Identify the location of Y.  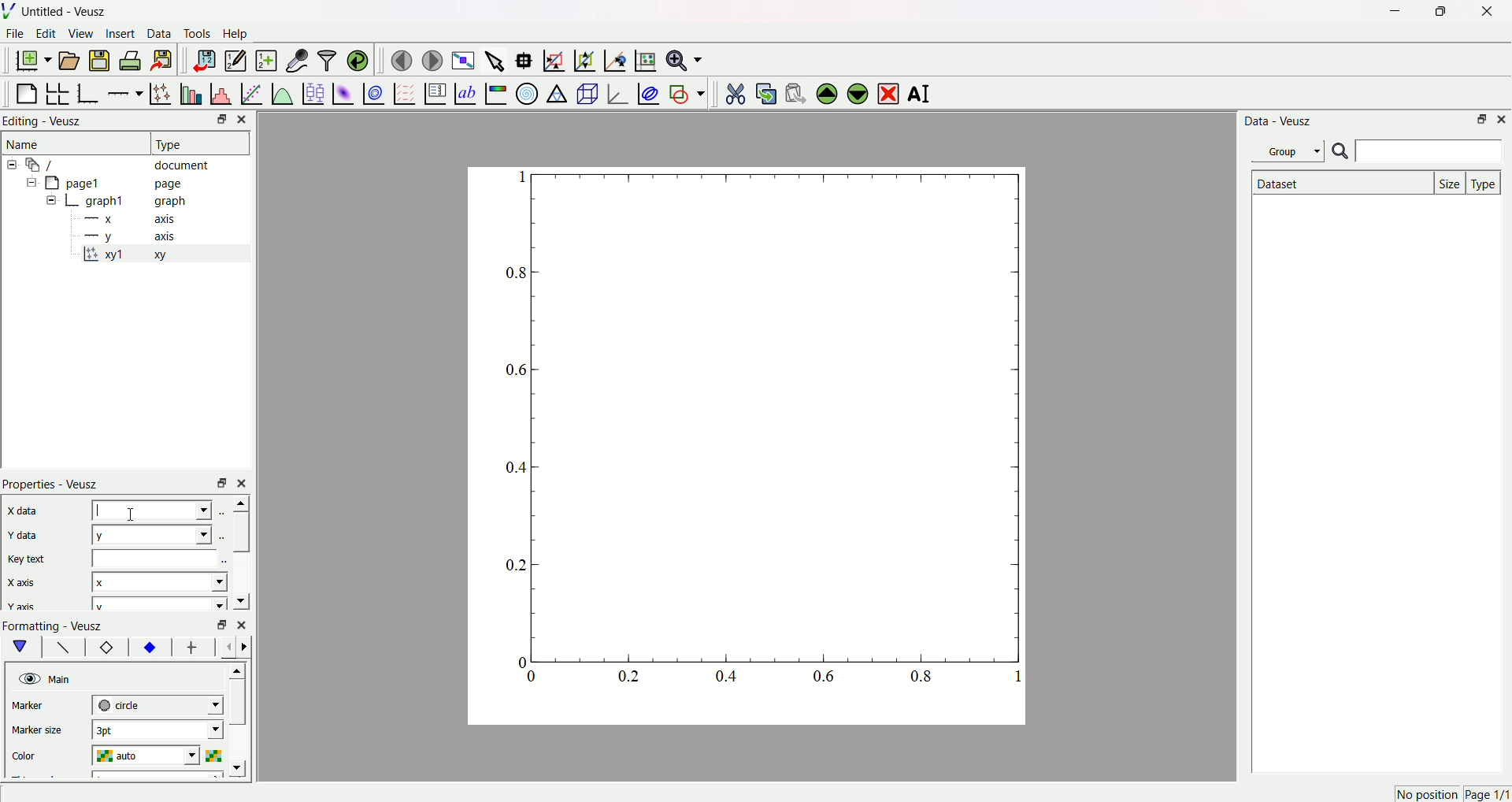
(150, 534).